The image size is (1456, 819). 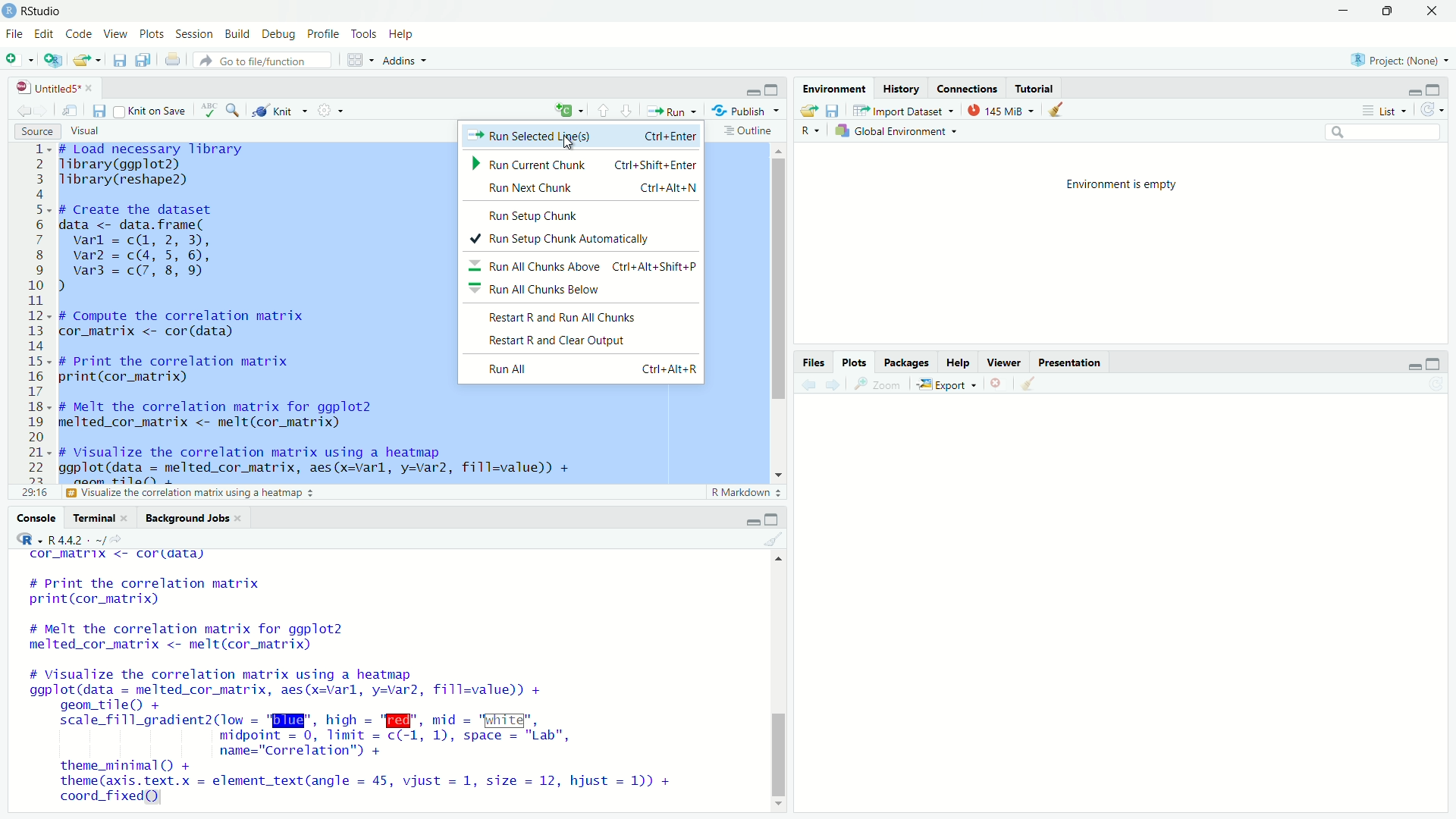 What do you see at coordinates (626, 109) in the screenshot?
I see `go to next section` at bounding box center [626, 109].